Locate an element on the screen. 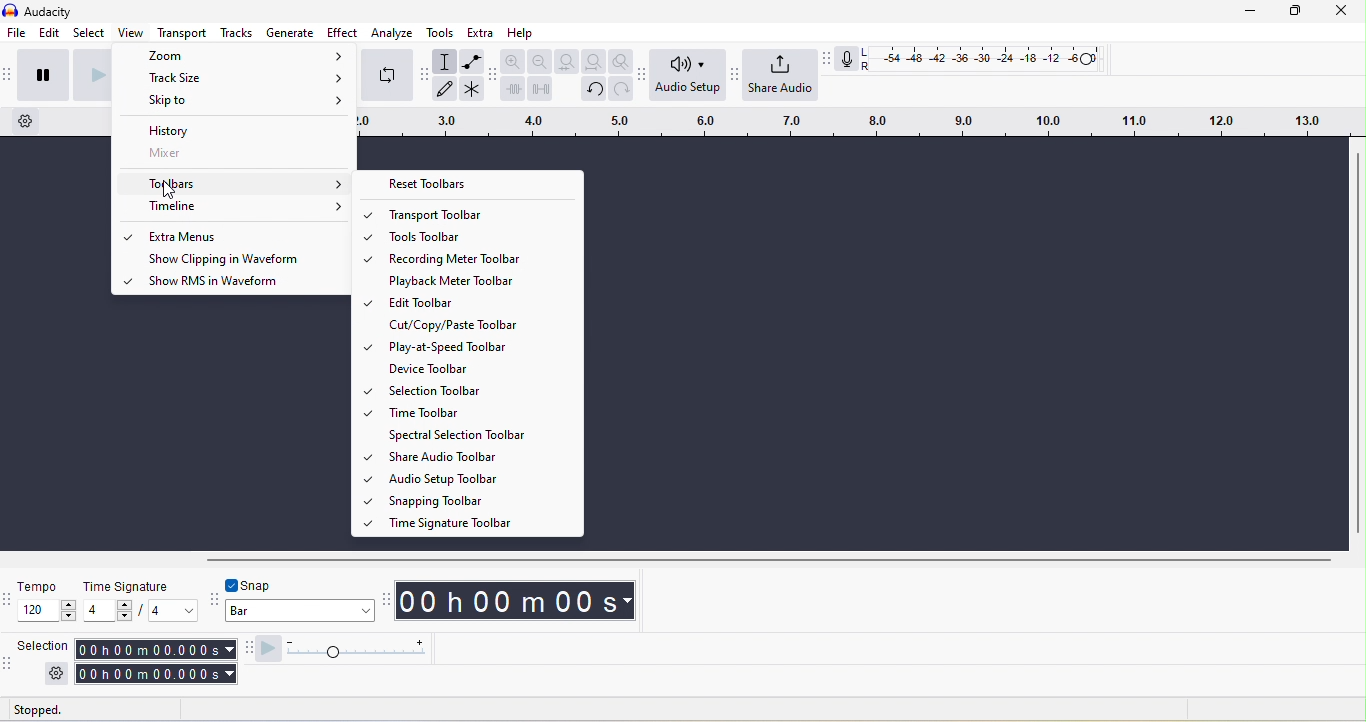 The width and height of the screenshot is (1366, 722). Time signature toolbar  is located at coordinates (480, 522).